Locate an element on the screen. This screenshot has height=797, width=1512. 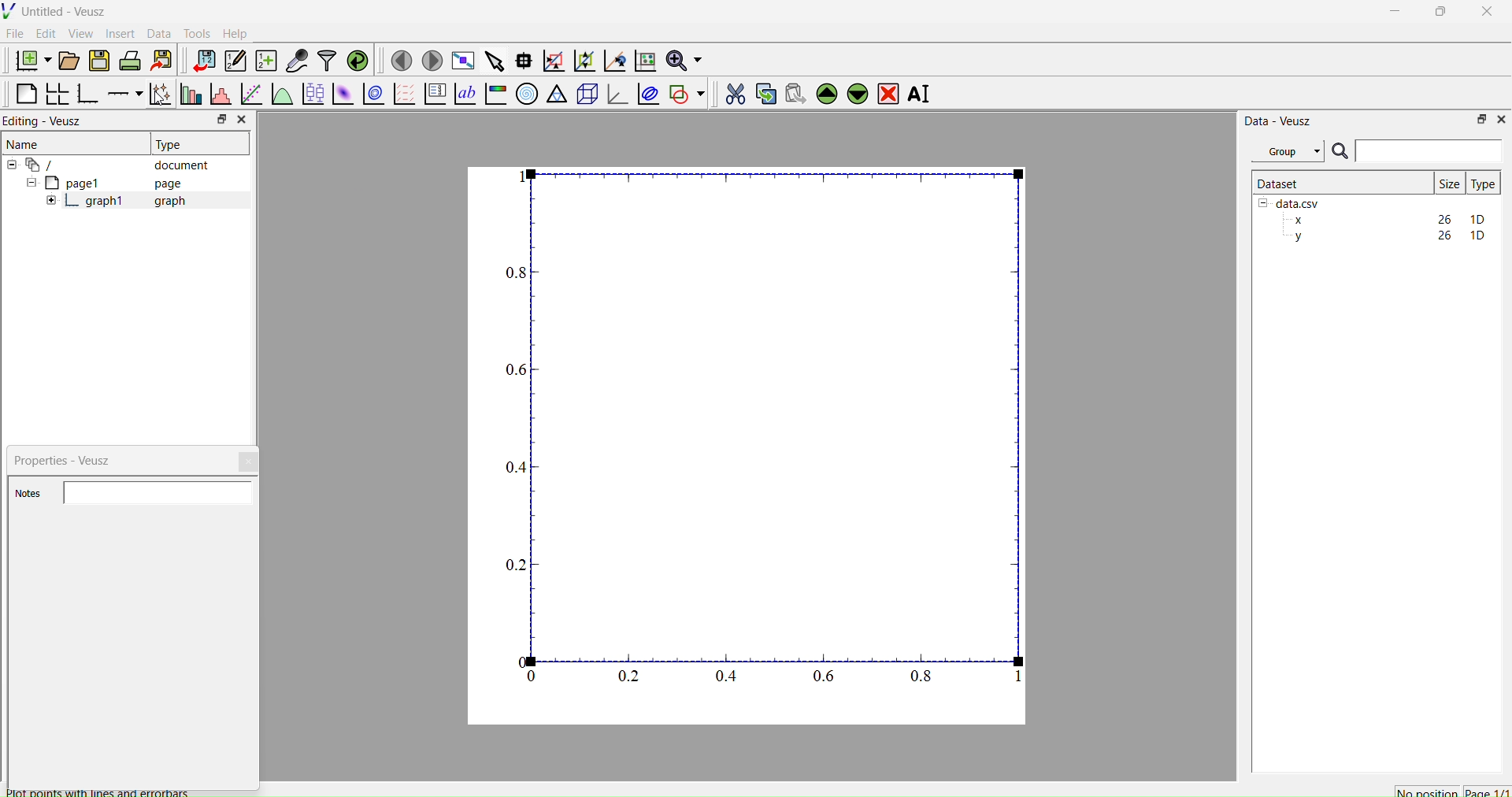
Insert is located at coordinates (123, 33).